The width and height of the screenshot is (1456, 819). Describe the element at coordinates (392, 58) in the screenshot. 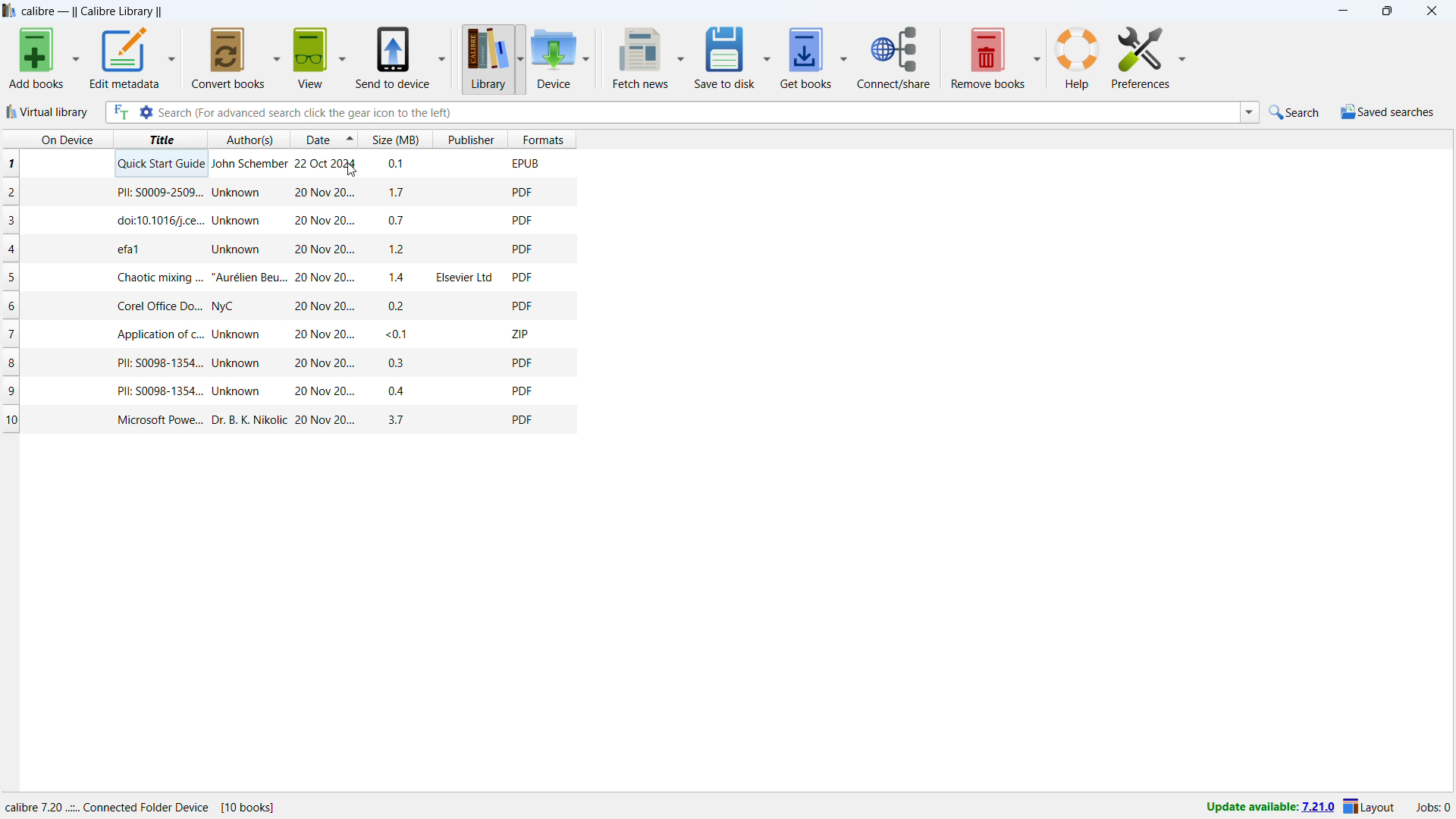

I see `send to device` at that location.